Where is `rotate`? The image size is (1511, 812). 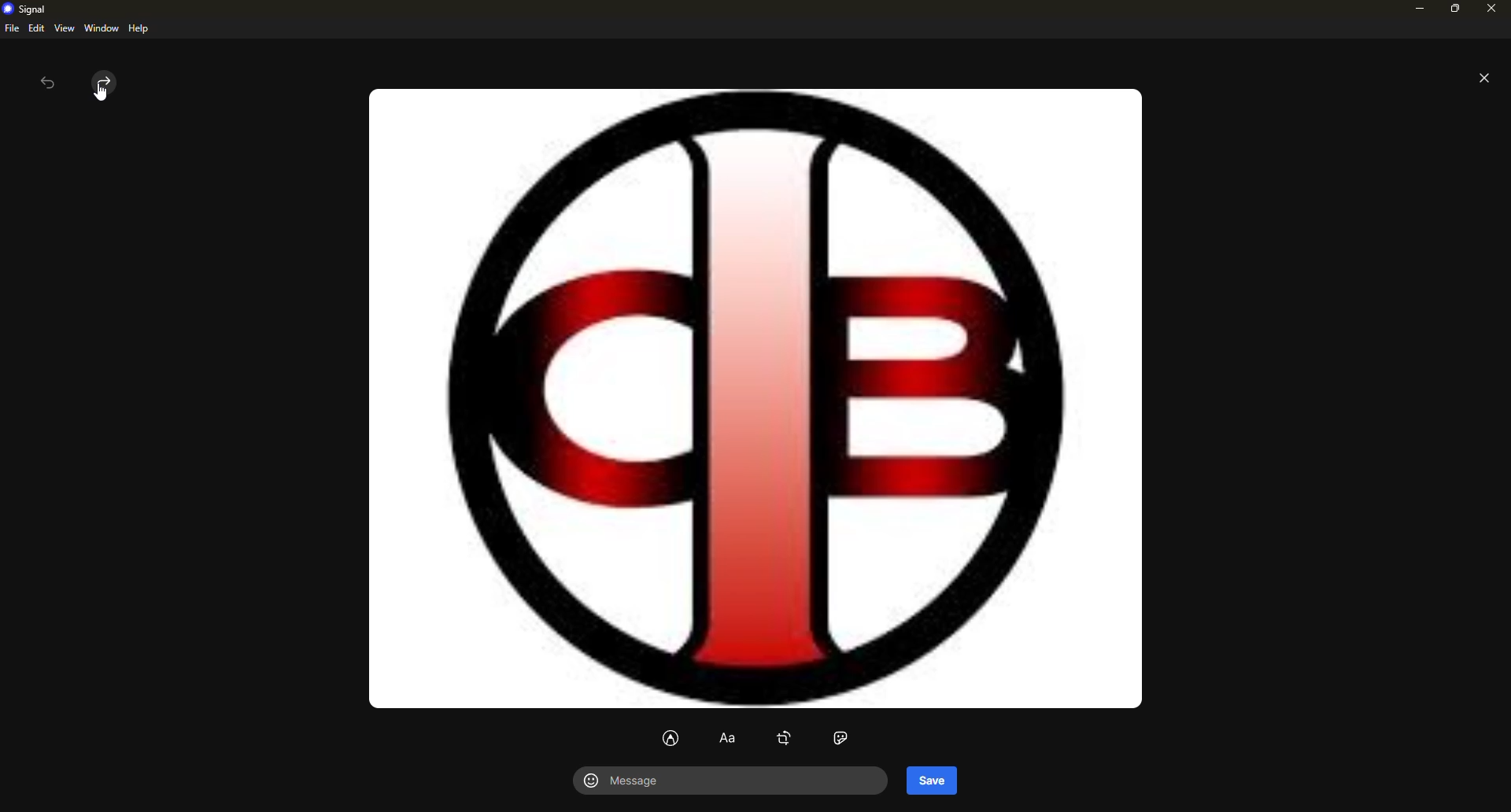 rotate is located at coordinates (785, 738).